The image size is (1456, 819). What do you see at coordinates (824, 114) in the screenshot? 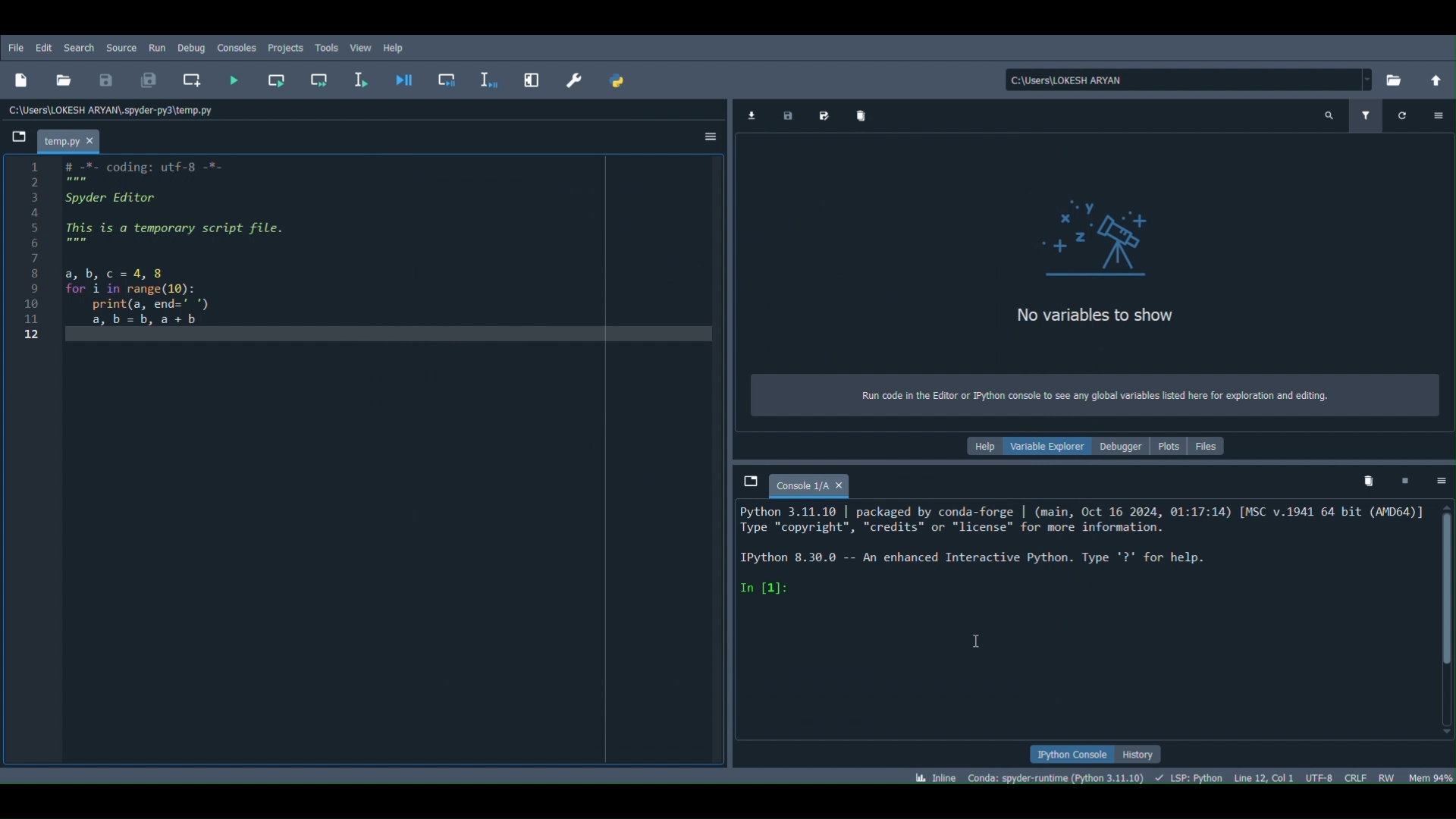
I see `Save data as` at bounding box center [824, 114].